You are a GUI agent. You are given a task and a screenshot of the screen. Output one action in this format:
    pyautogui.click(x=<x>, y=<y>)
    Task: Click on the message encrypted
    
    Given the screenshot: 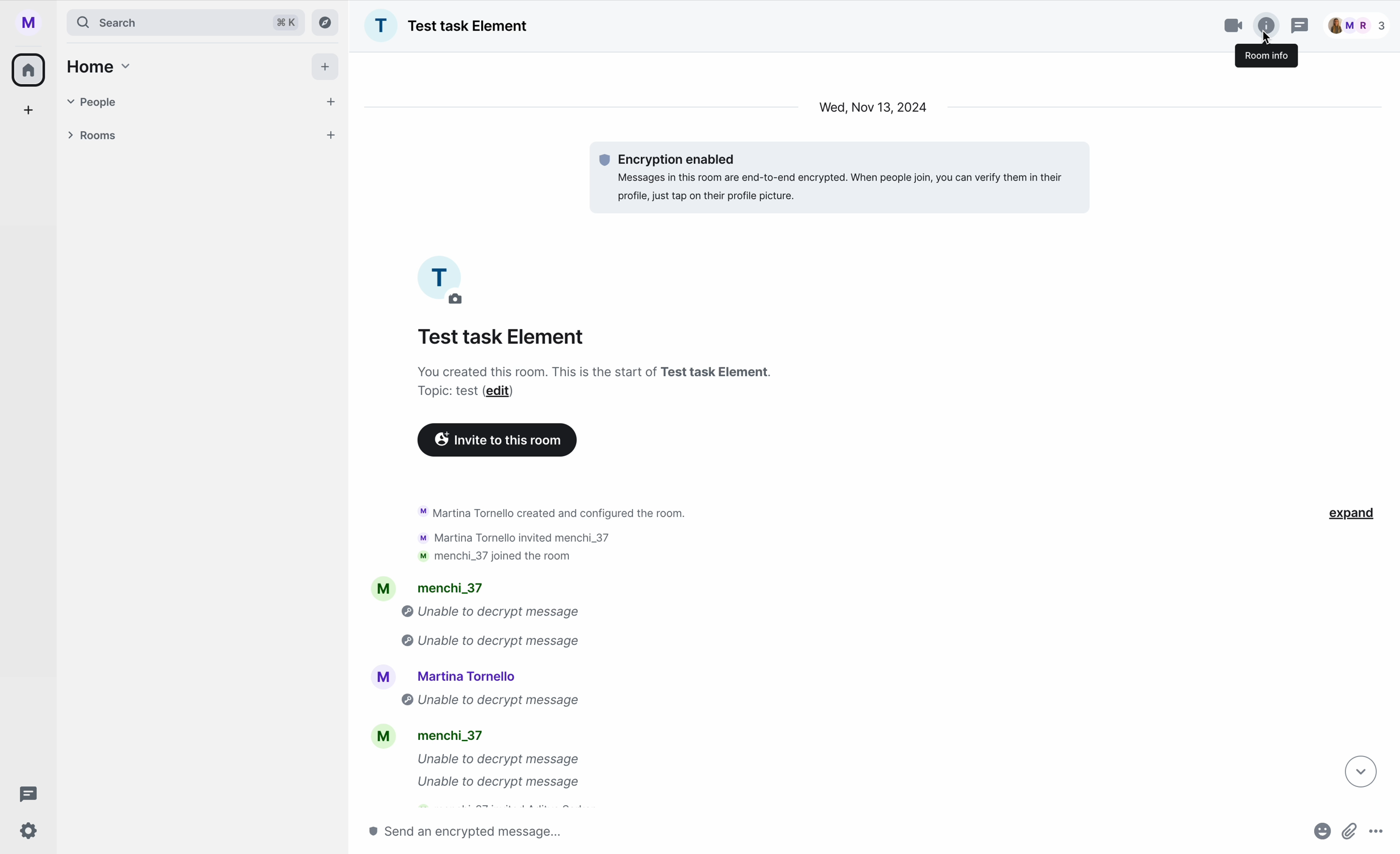 What is the action you would take?
    pyautogui.click(x=843, y=178)
    